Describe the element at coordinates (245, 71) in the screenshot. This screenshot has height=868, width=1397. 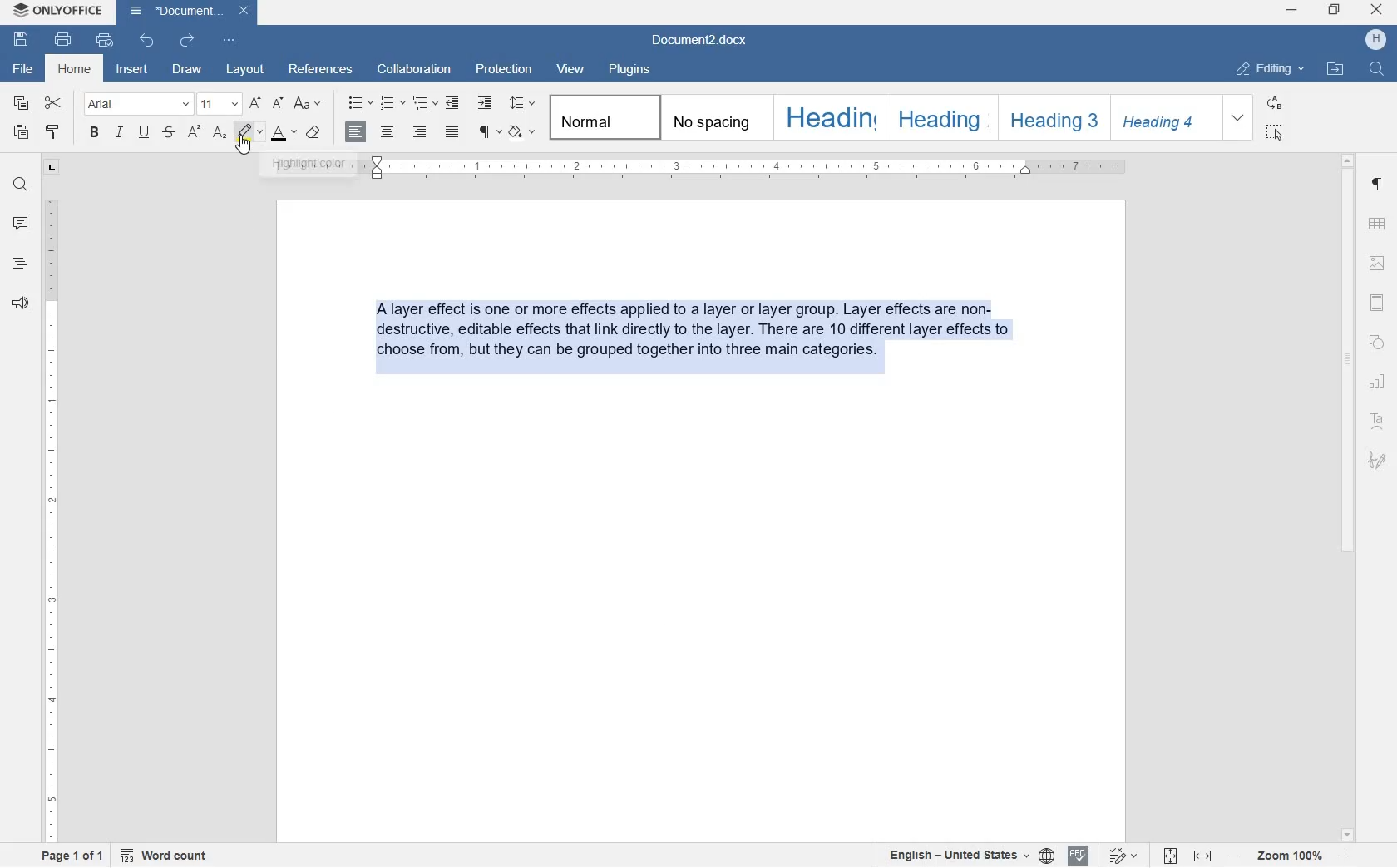
I see `LAYOUT` at that location.